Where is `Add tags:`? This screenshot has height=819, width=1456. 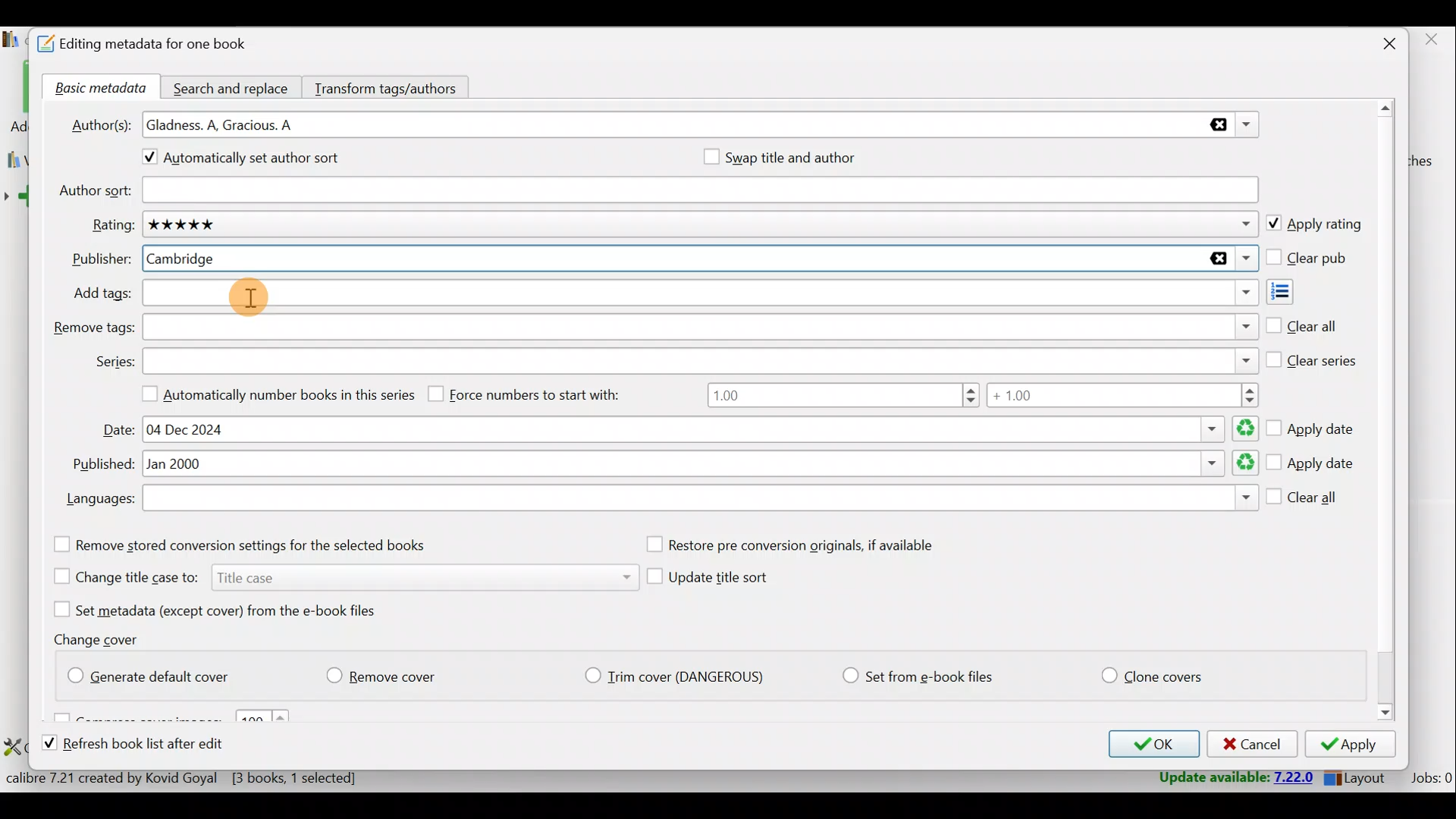
Add tags: is located at coordinates (102, 293).